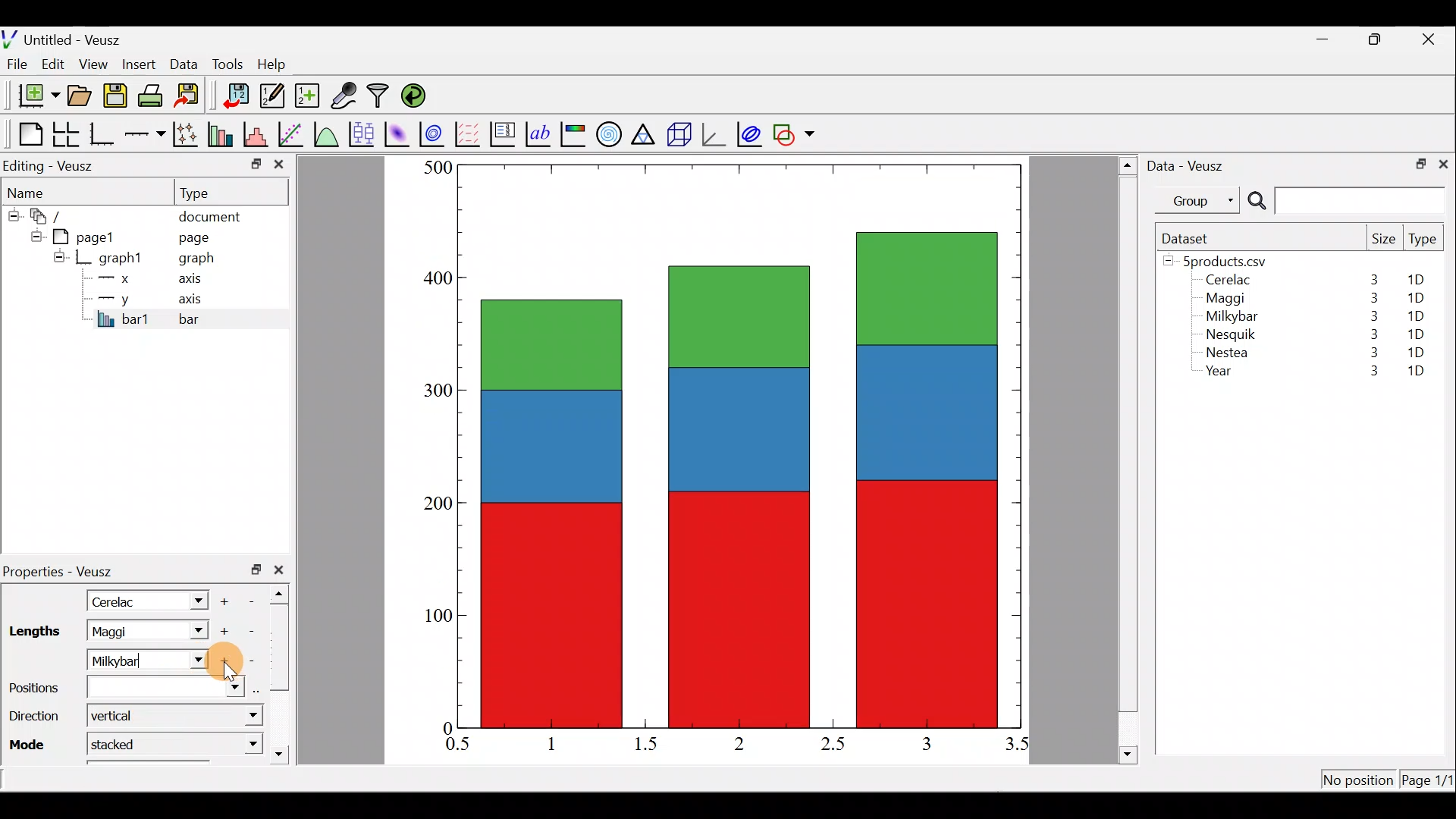 The image size is (1456, 819). I want to click on Positions, so click(124, 688).